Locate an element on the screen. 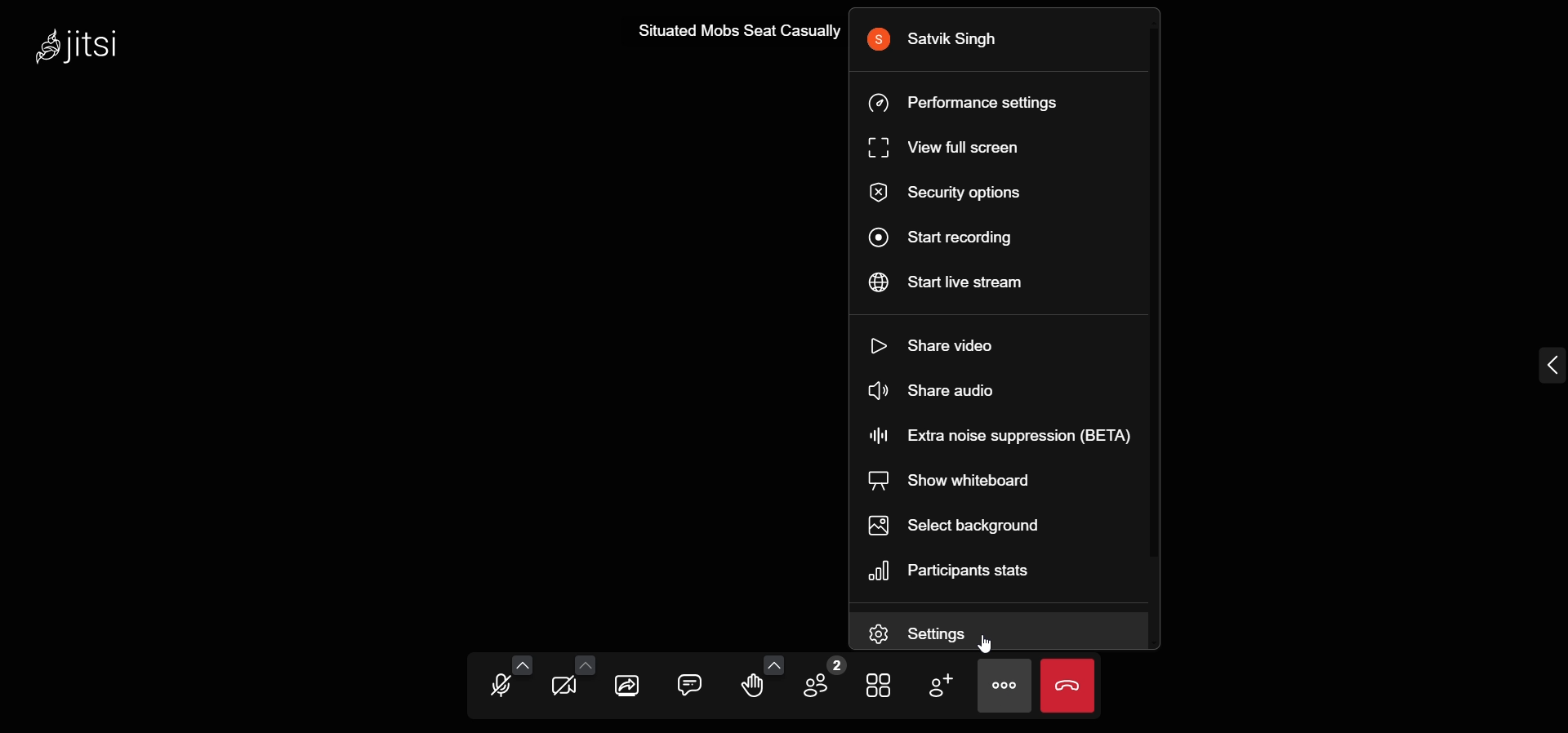 The height and width of the screenshot is (733, 1568). performance setting is located at coordinates (974, 101).